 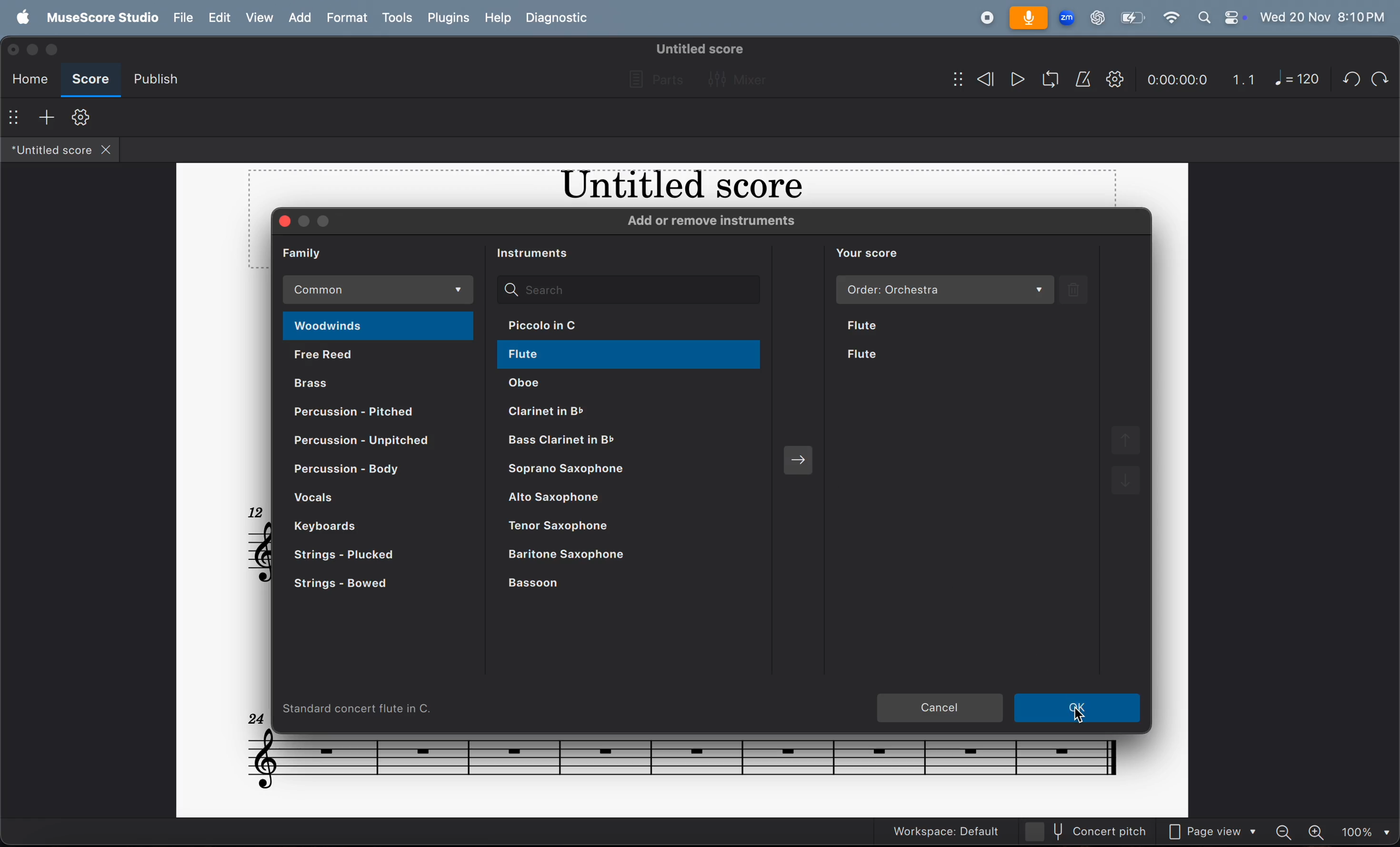 What do you see at coordinates (878, 359) in the screenshot?
I see `flute` at bounding box center [878, 359].